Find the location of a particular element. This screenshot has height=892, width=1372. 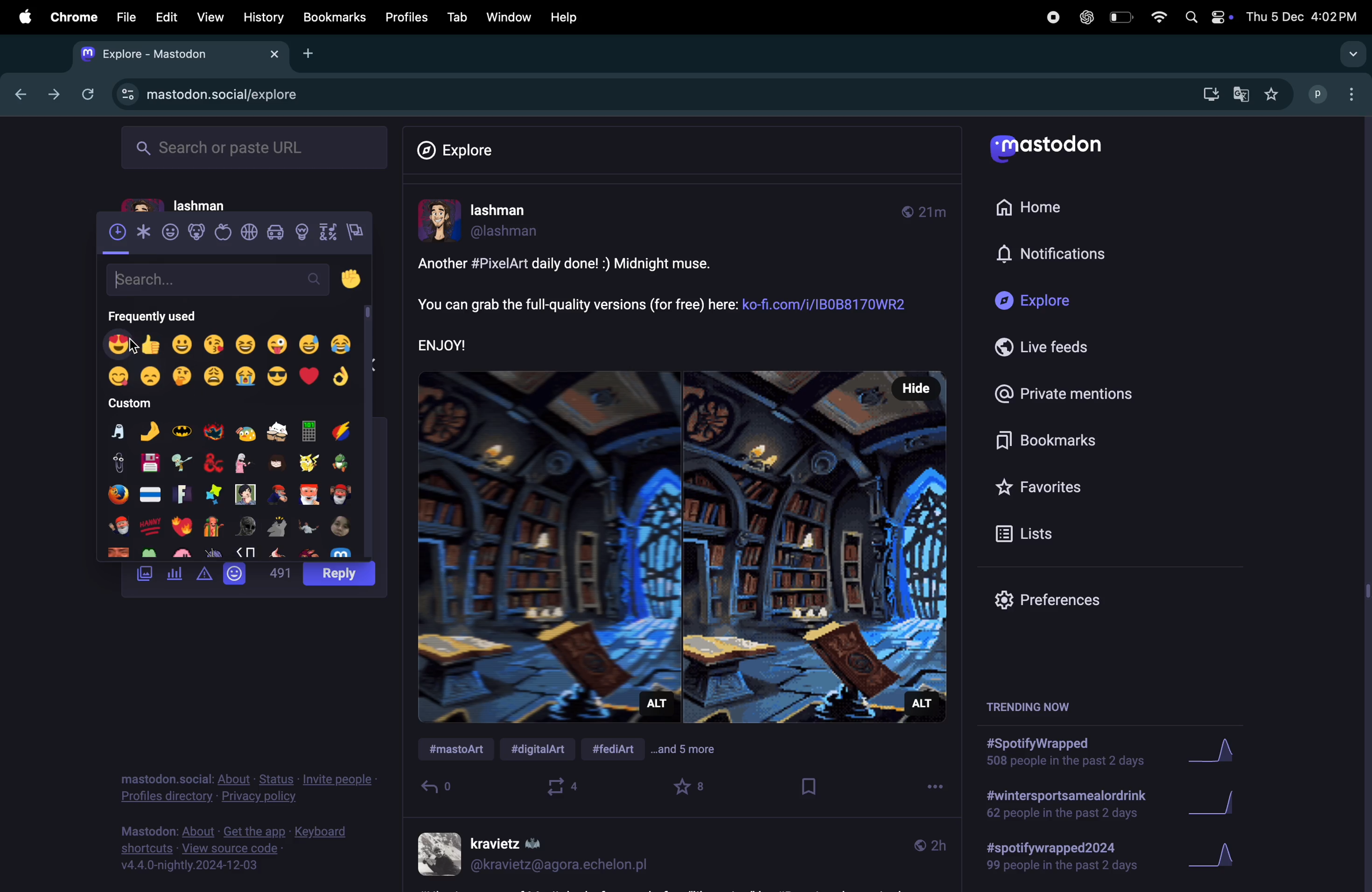

refresh is located at coordinates (89, 95).